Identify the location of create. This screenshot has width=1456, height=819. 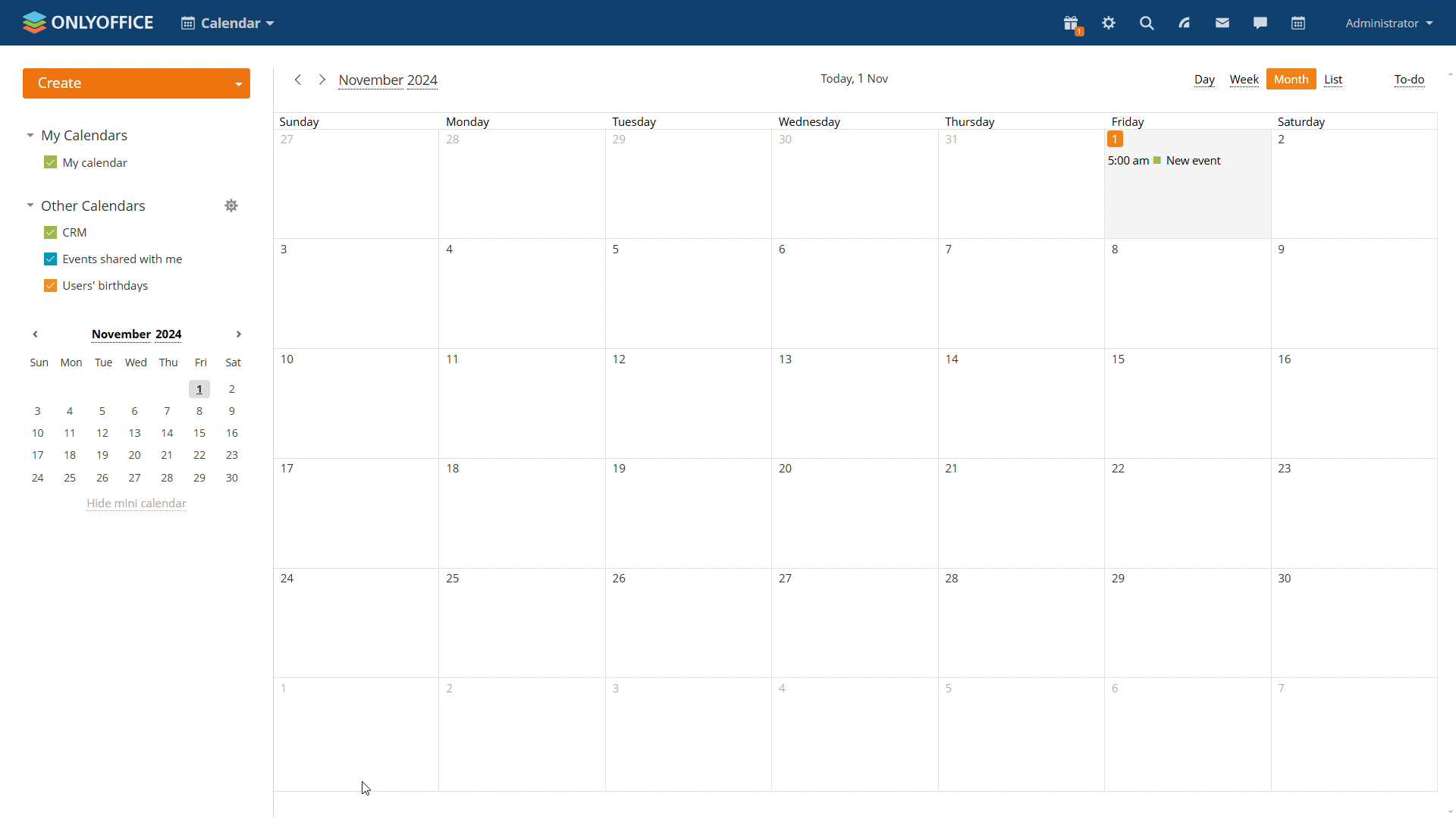
(136, 83).